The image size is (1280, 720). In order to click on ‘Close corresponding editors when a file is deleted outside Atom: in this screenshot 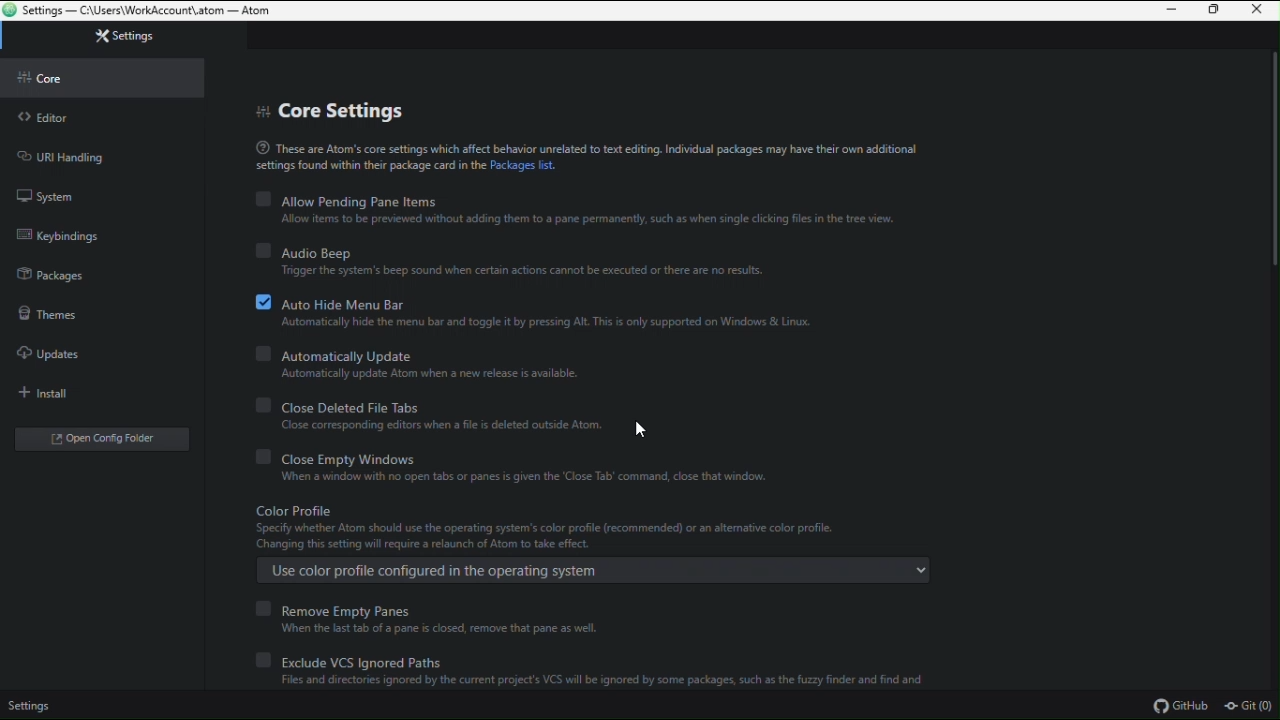, I will do `click(442, 424)`.